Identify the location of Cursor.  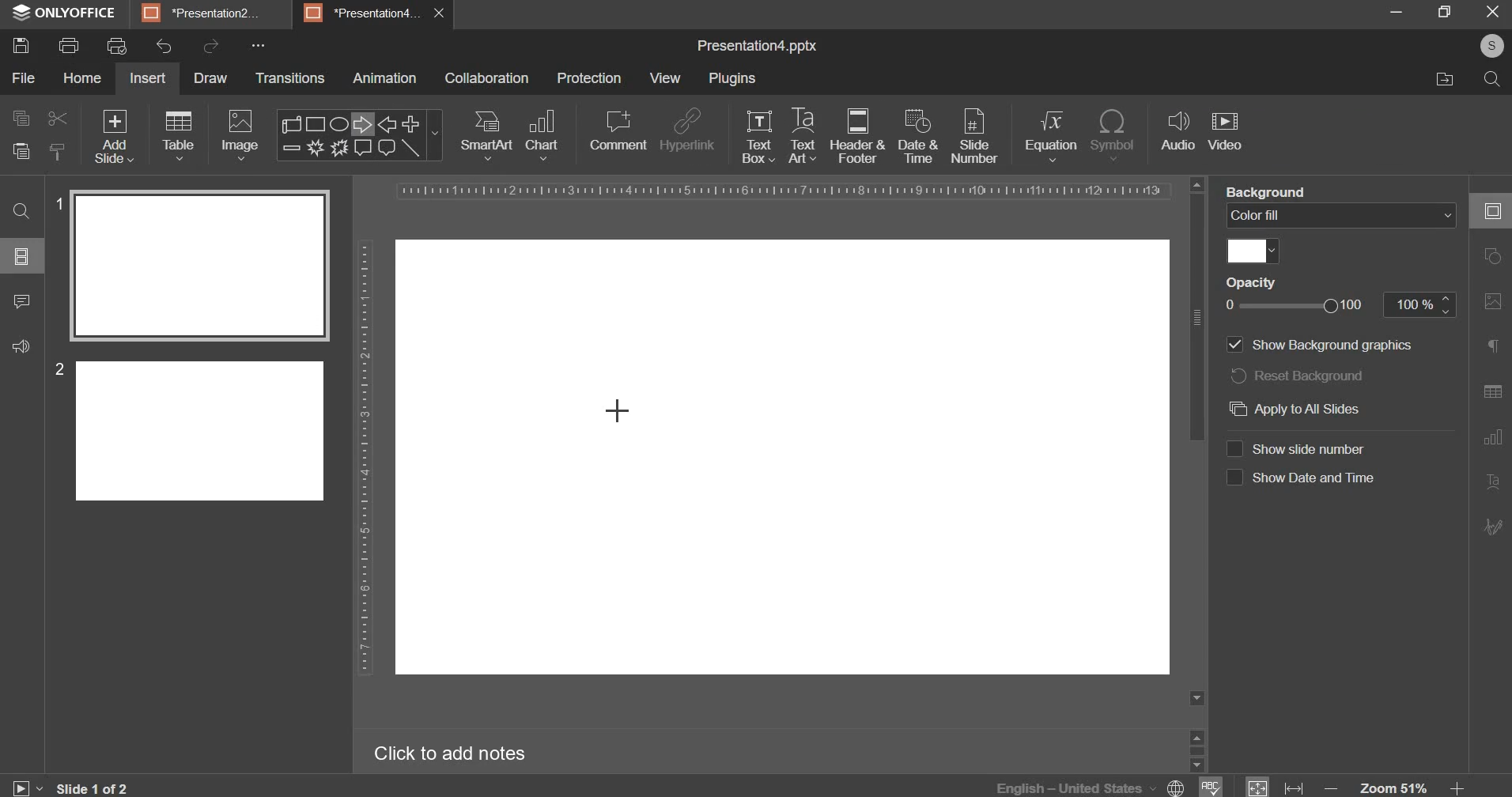
(618, 410).